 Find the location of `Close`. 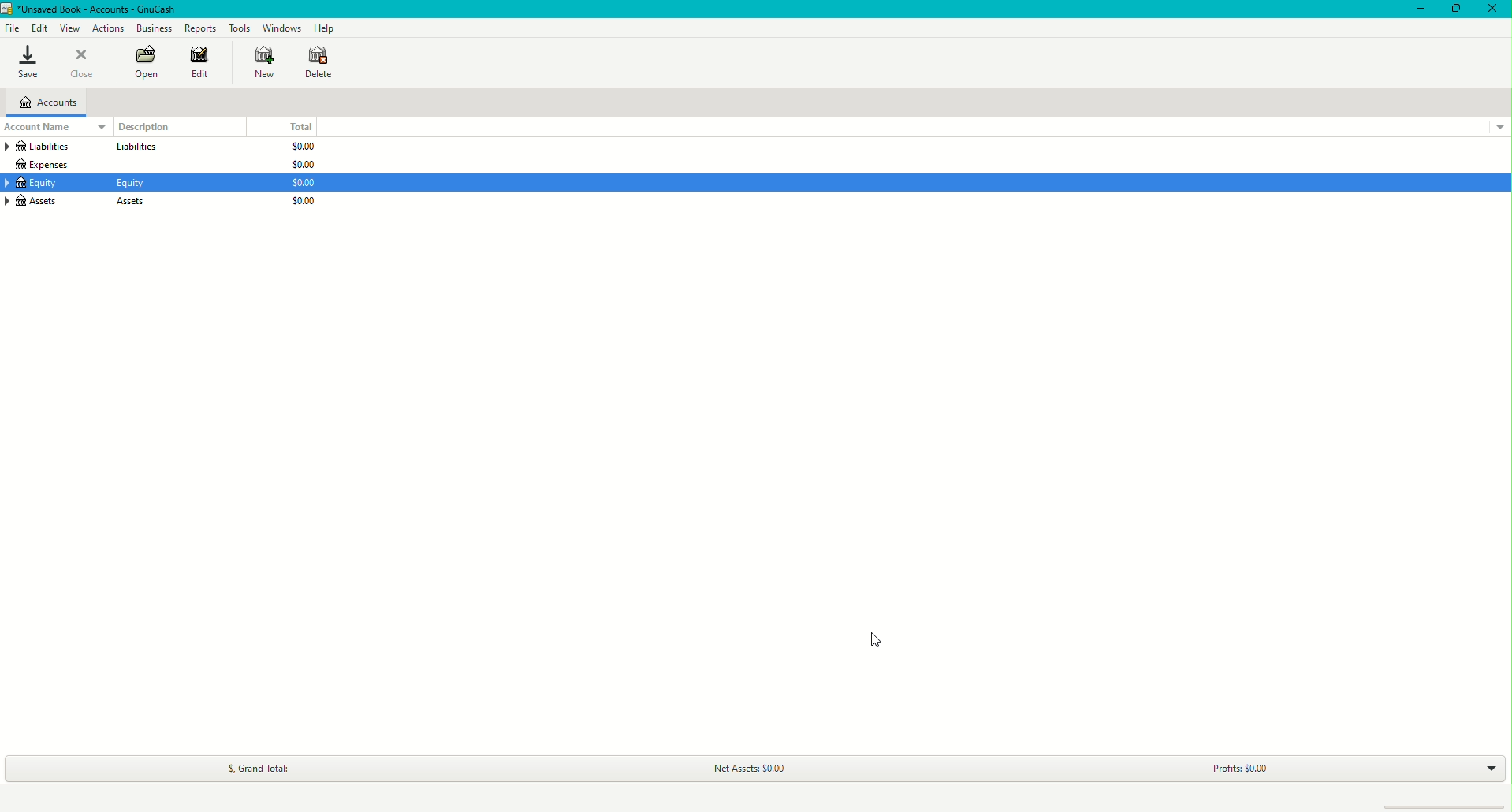

Close is located at coordinates (1494, 10).